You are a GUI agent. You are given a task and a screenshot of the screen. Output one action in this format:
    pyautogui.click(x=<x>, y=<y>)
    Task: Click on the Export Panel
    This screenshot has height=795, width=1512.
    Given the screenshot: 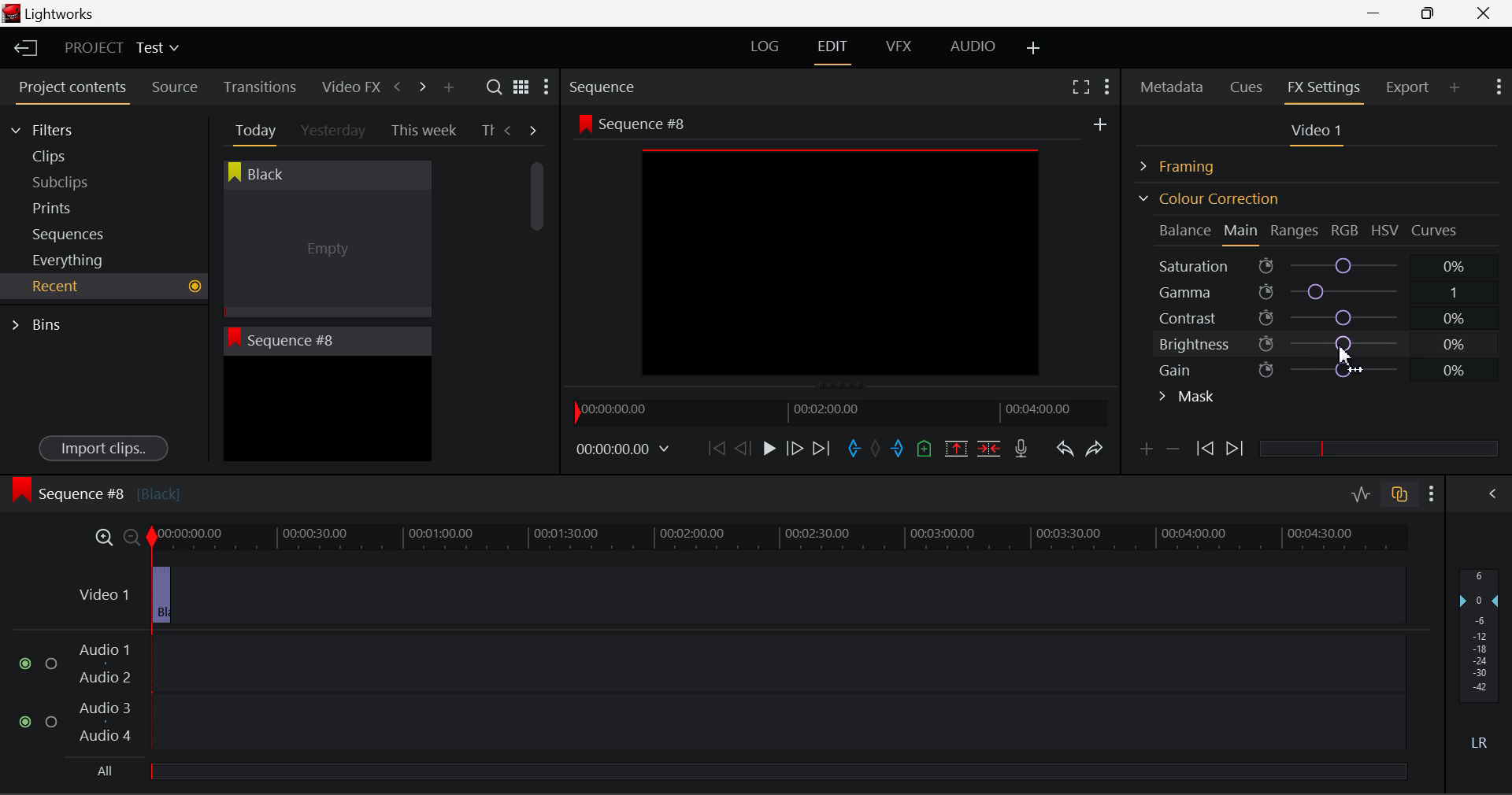 What is the action you would take?
    pyautogui.click(x=1410, y=87)
    